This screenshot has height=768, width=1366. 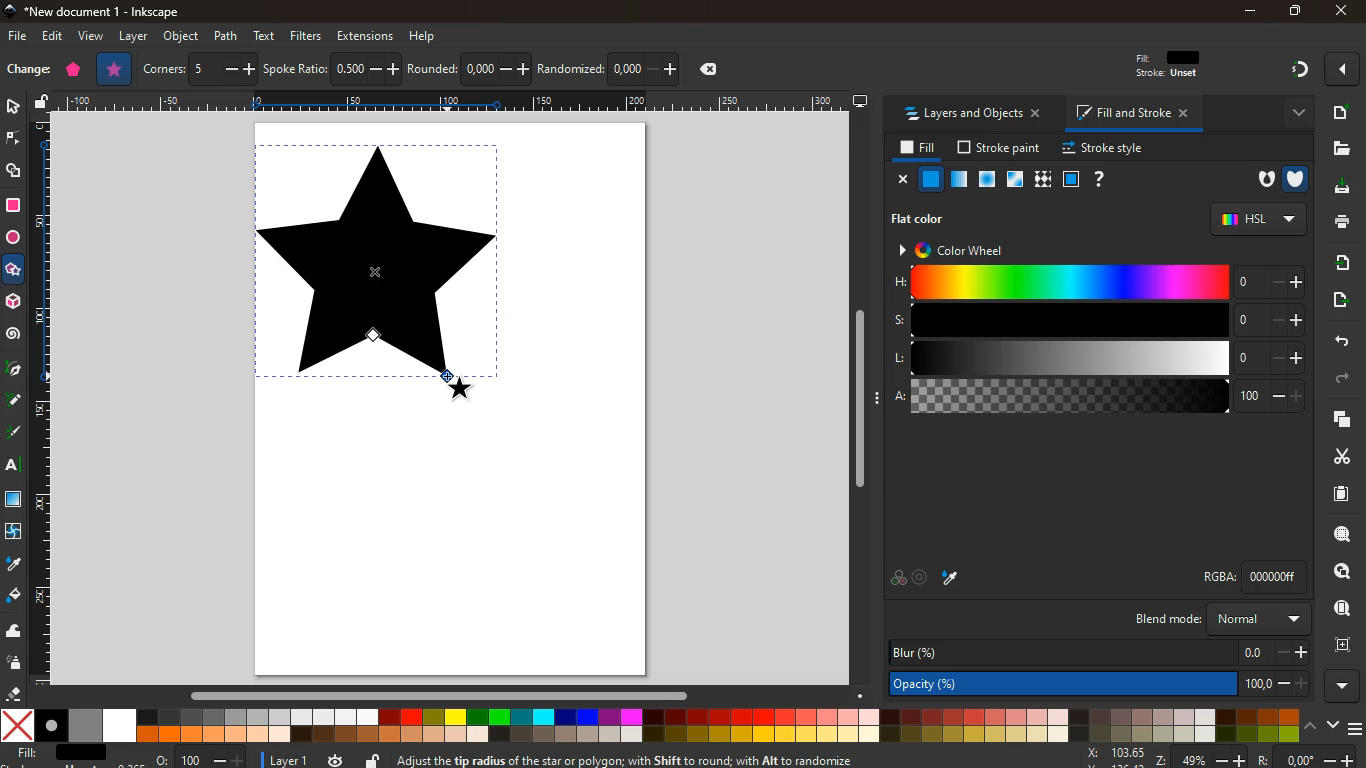 I want to click on no objects, so click(x=925, y=206).